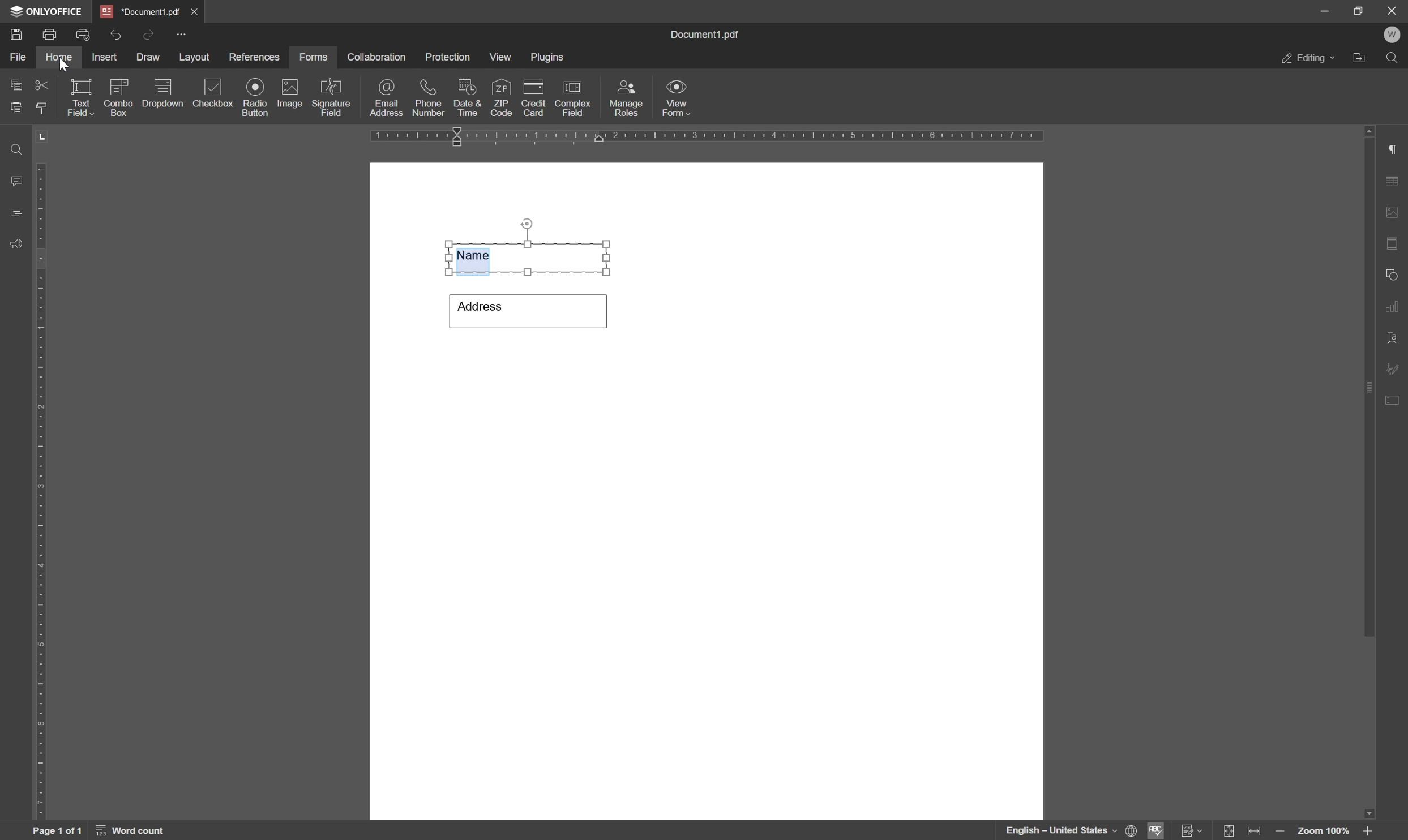  I want to click on copy, so click(15, 83).